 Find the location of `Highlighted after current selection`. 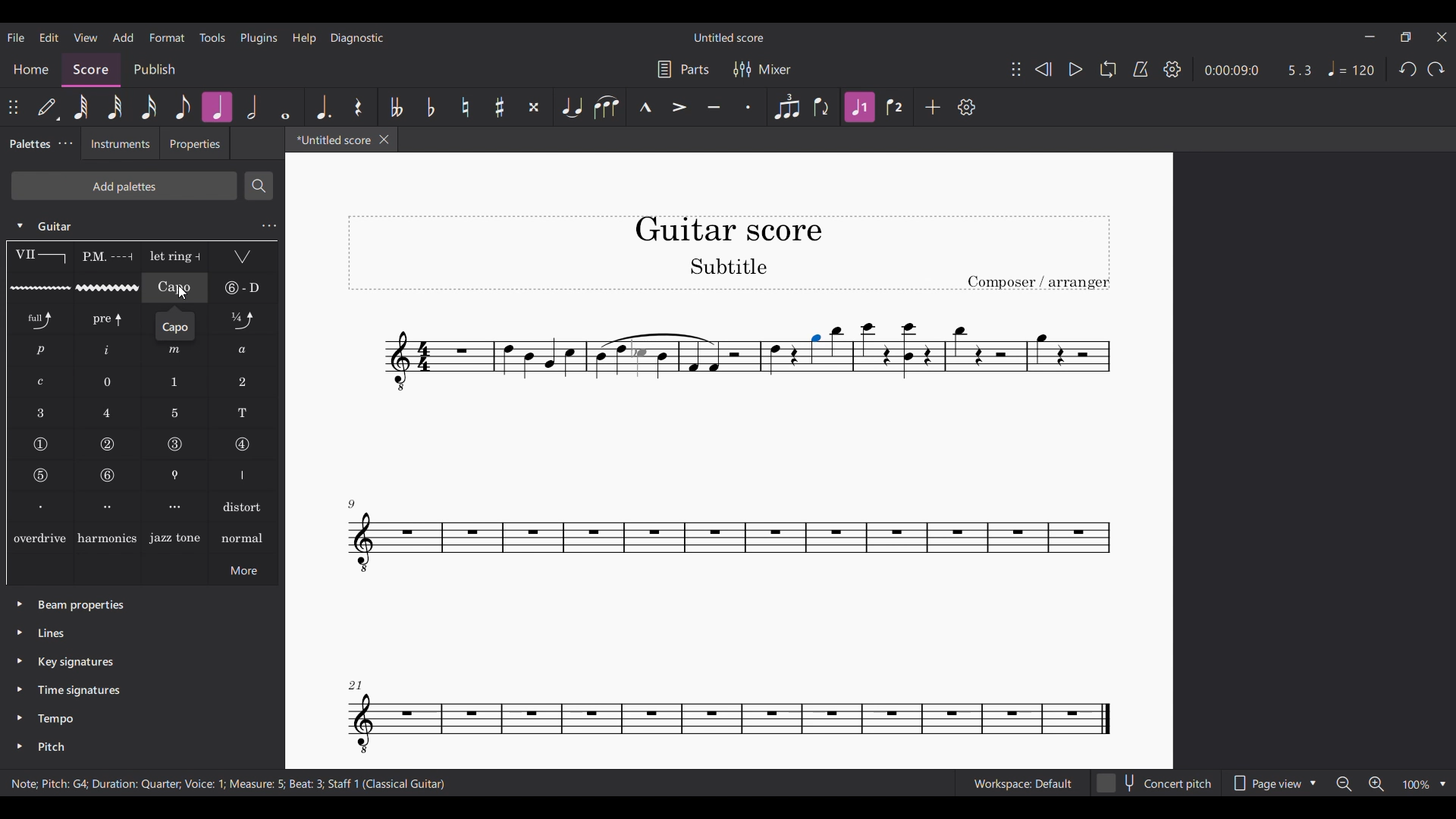

Highlighted after current selection is located at coordinates (861, 108).